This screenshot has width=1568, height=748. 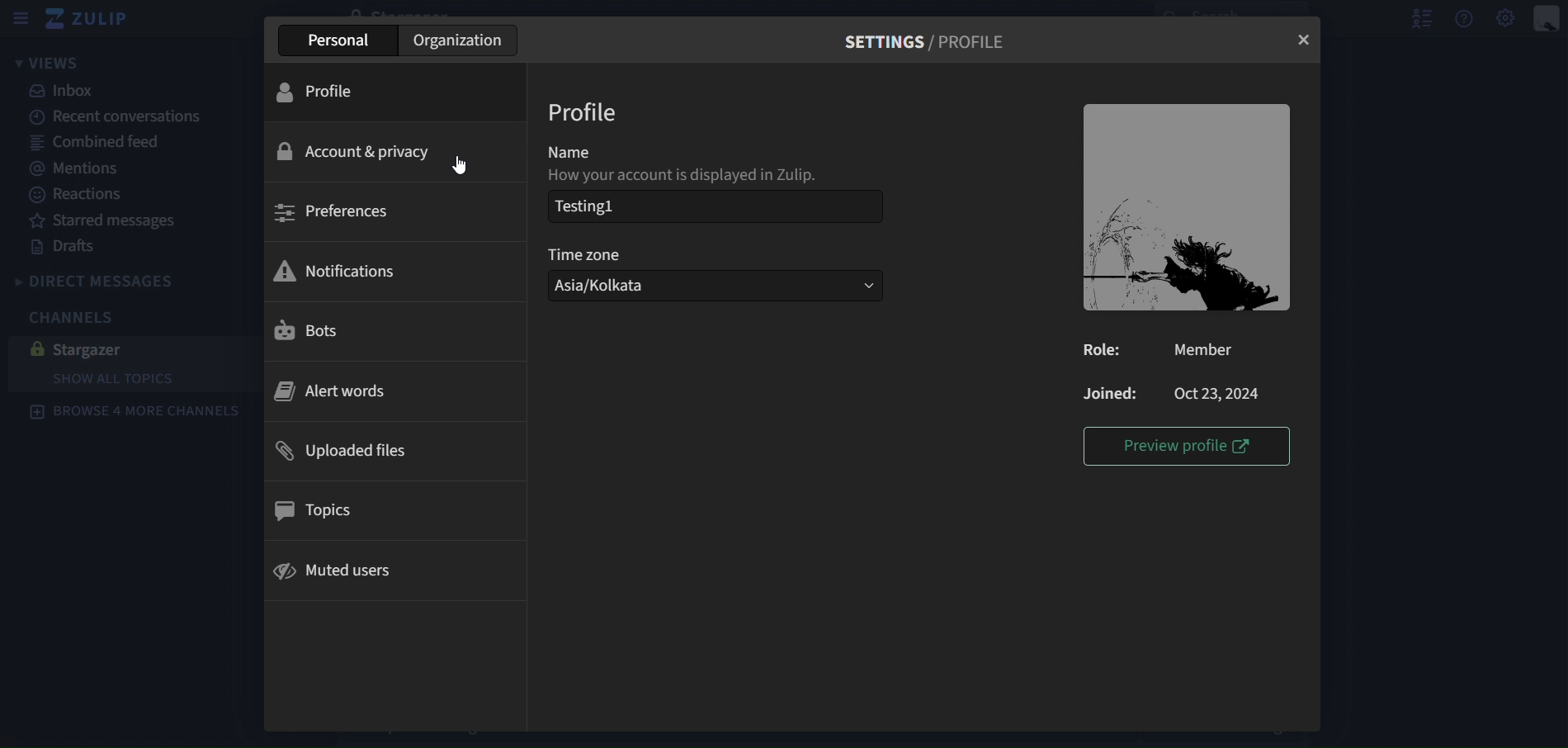 What do you see at coordinates (329, 212) in the screenshot?
I see `preferences` at bounding box center [329, 212].